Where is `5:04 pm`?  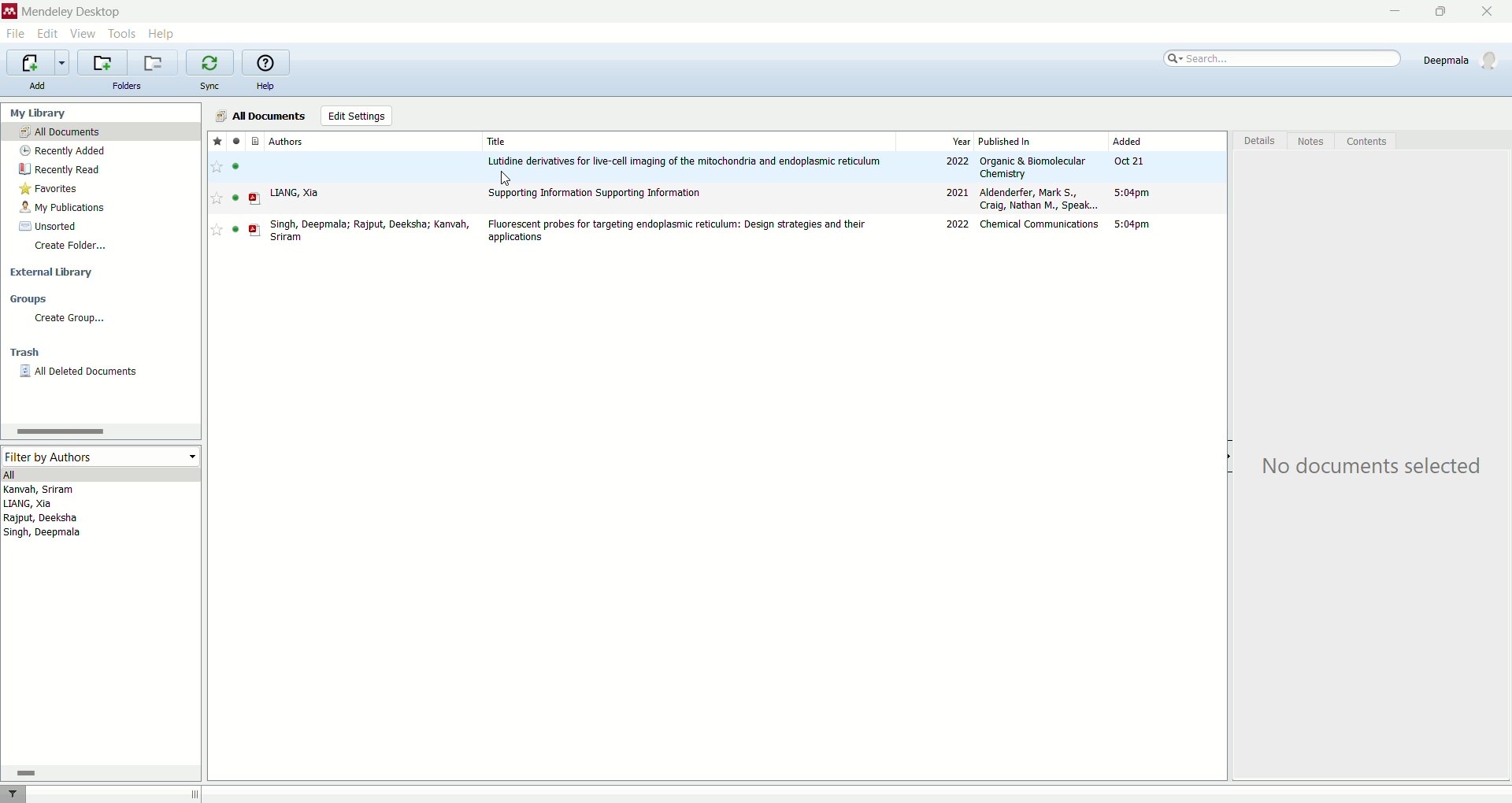
5:04 pm is located at coordinates (1137, 225).